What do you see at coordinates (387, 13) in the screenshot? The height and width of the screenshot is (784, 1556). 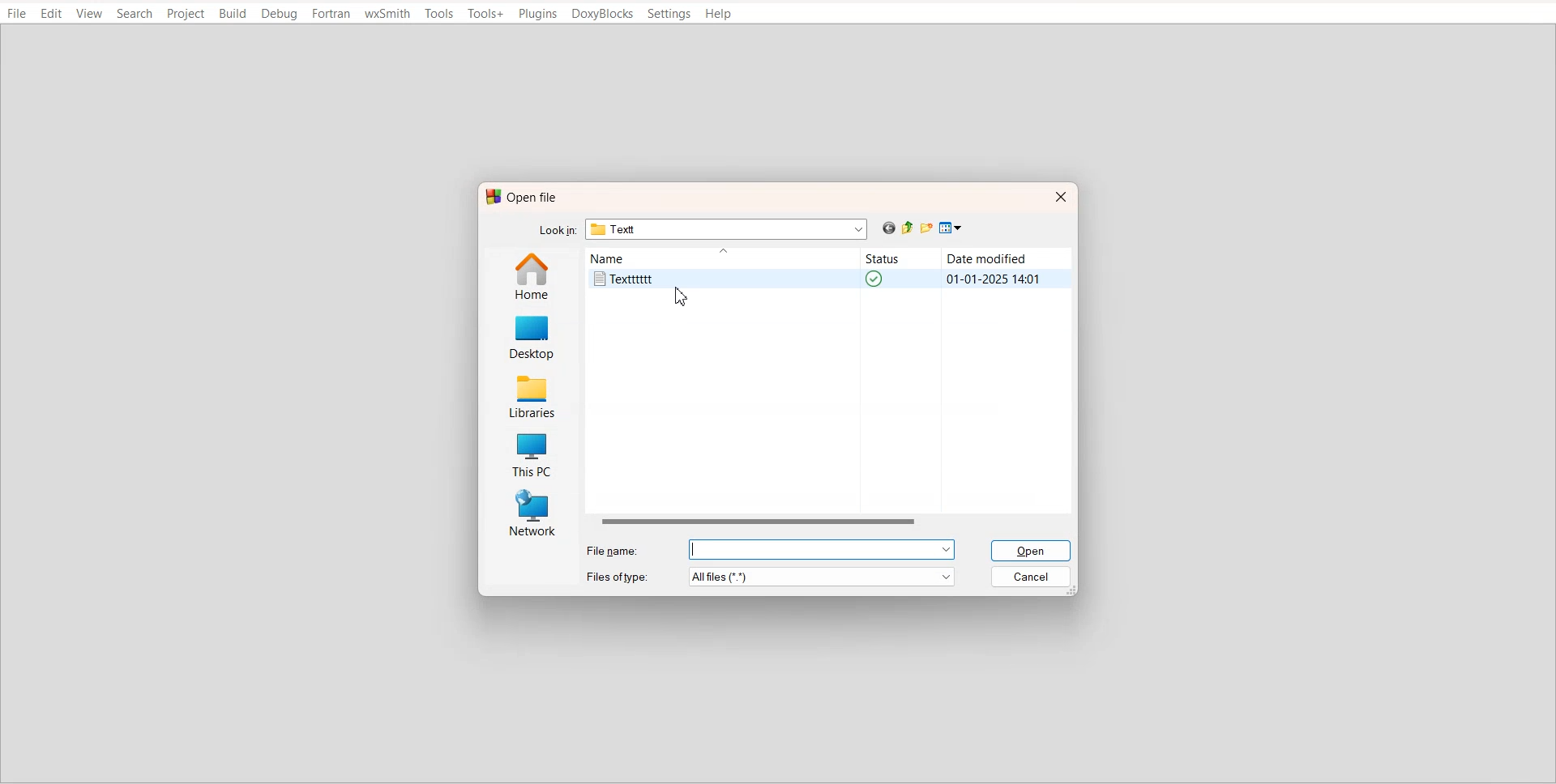 I see `wxSmith` at bounding box center [387, 13].